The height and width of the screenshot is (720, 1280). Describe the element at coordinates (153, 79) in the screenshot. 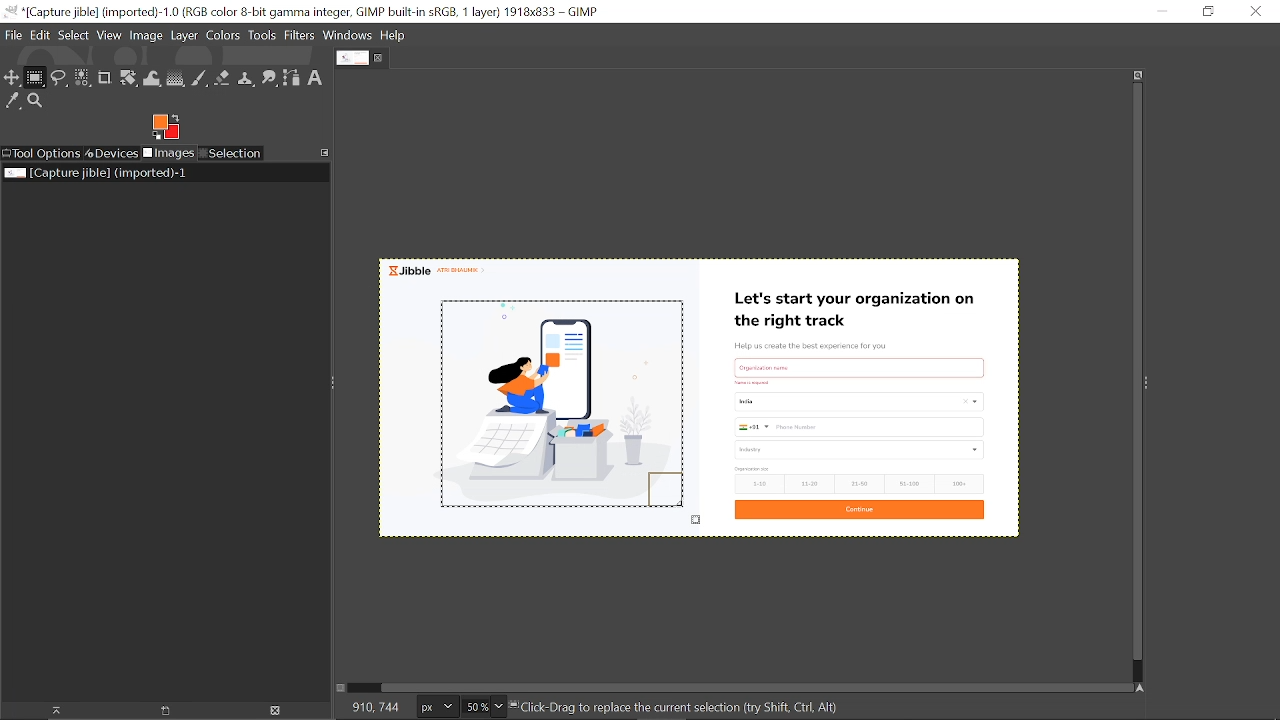

I see `Wrap text tool` at that location.